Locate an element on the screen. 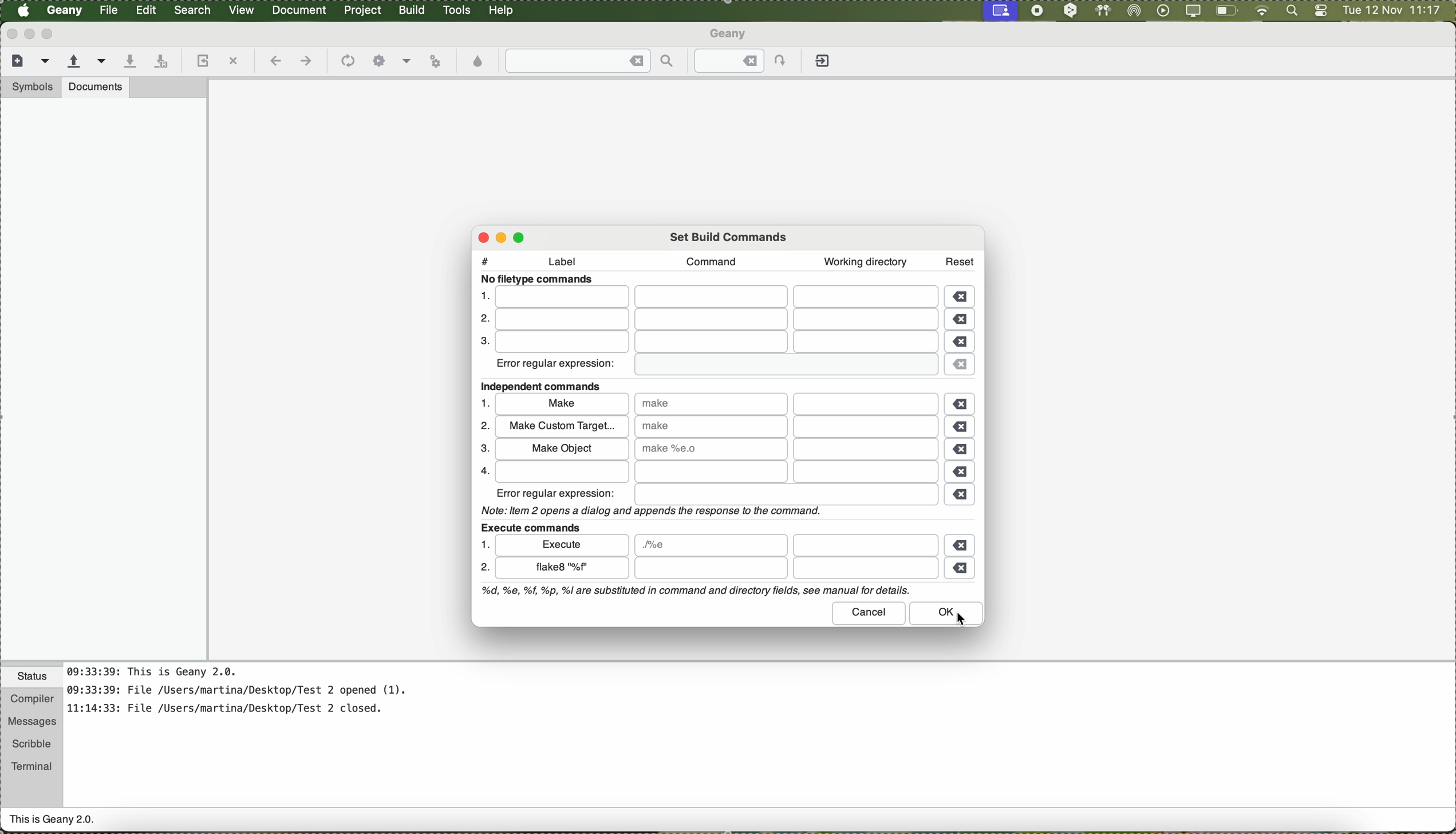 The width and height of the screenshot is (1456, 834). stop recording is located at coordinates (1036, 10).